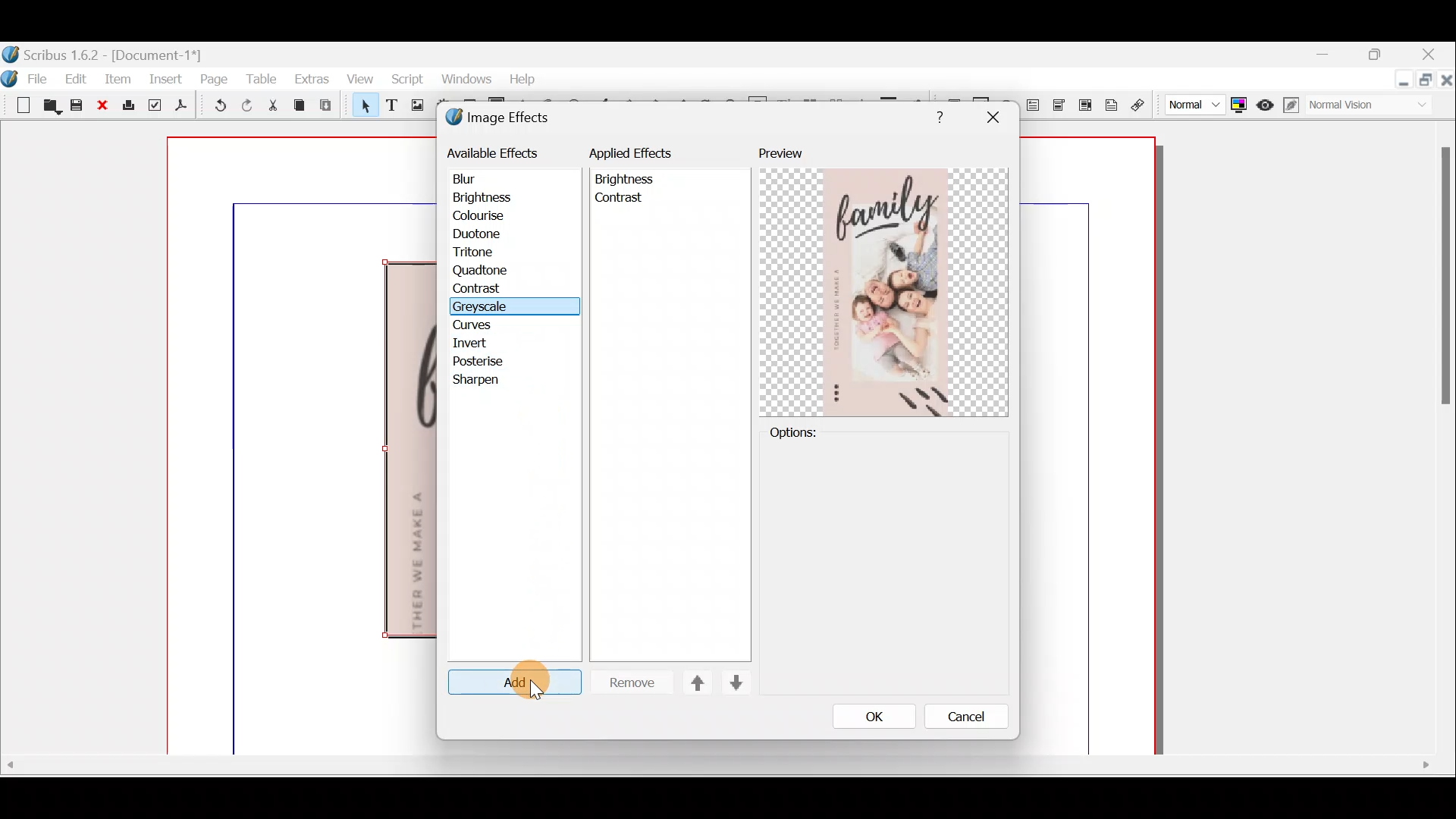 The height and width of the screenshot is (819, 1456). What do you see at coordinates (110, 50) in the screenshot?
I see `Document name` at bounding box center [110, 50].